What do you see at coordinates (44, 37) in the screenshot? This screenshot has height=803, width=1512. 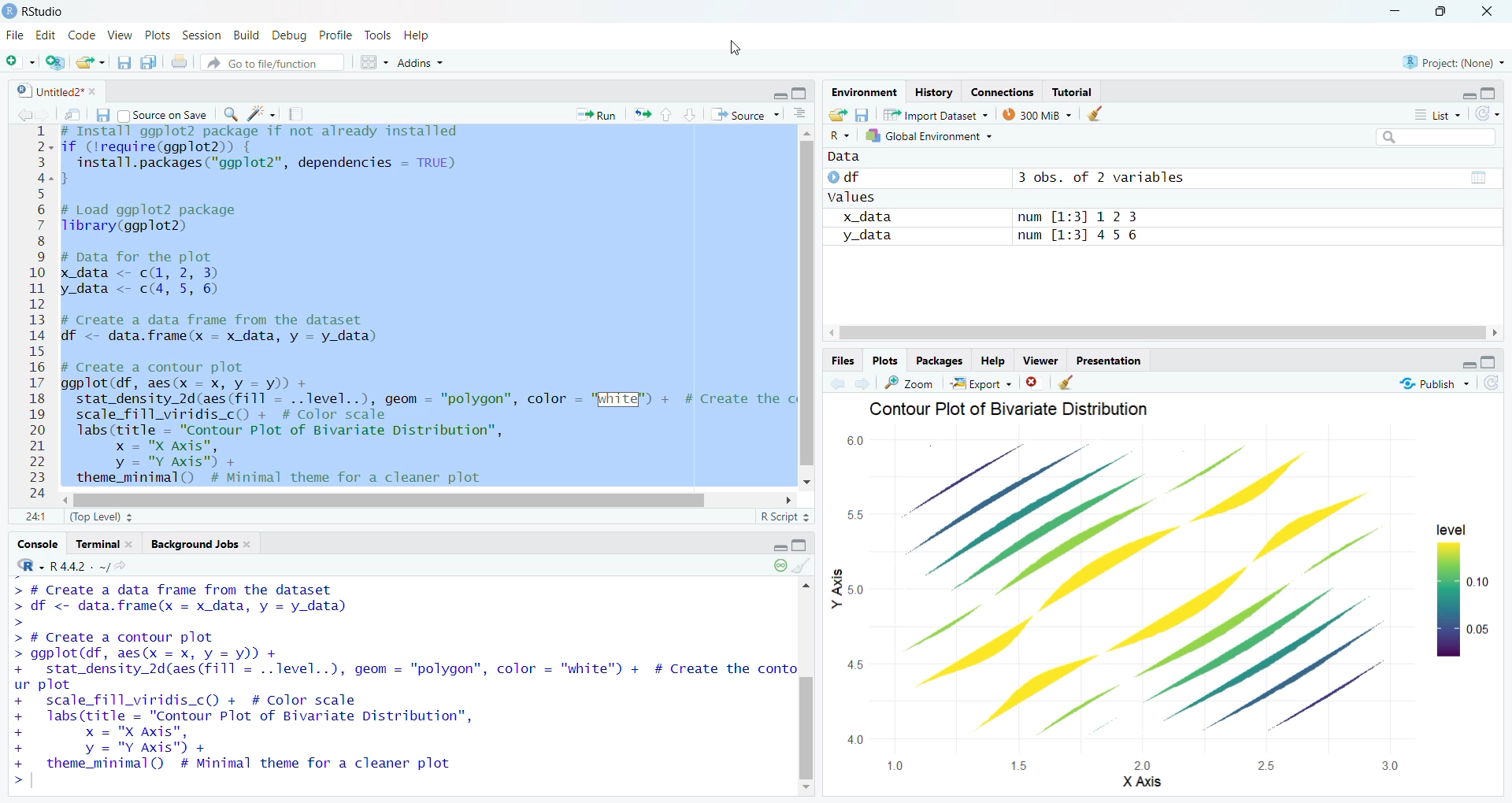 I see `Edit` at bounding box center [44, 37].